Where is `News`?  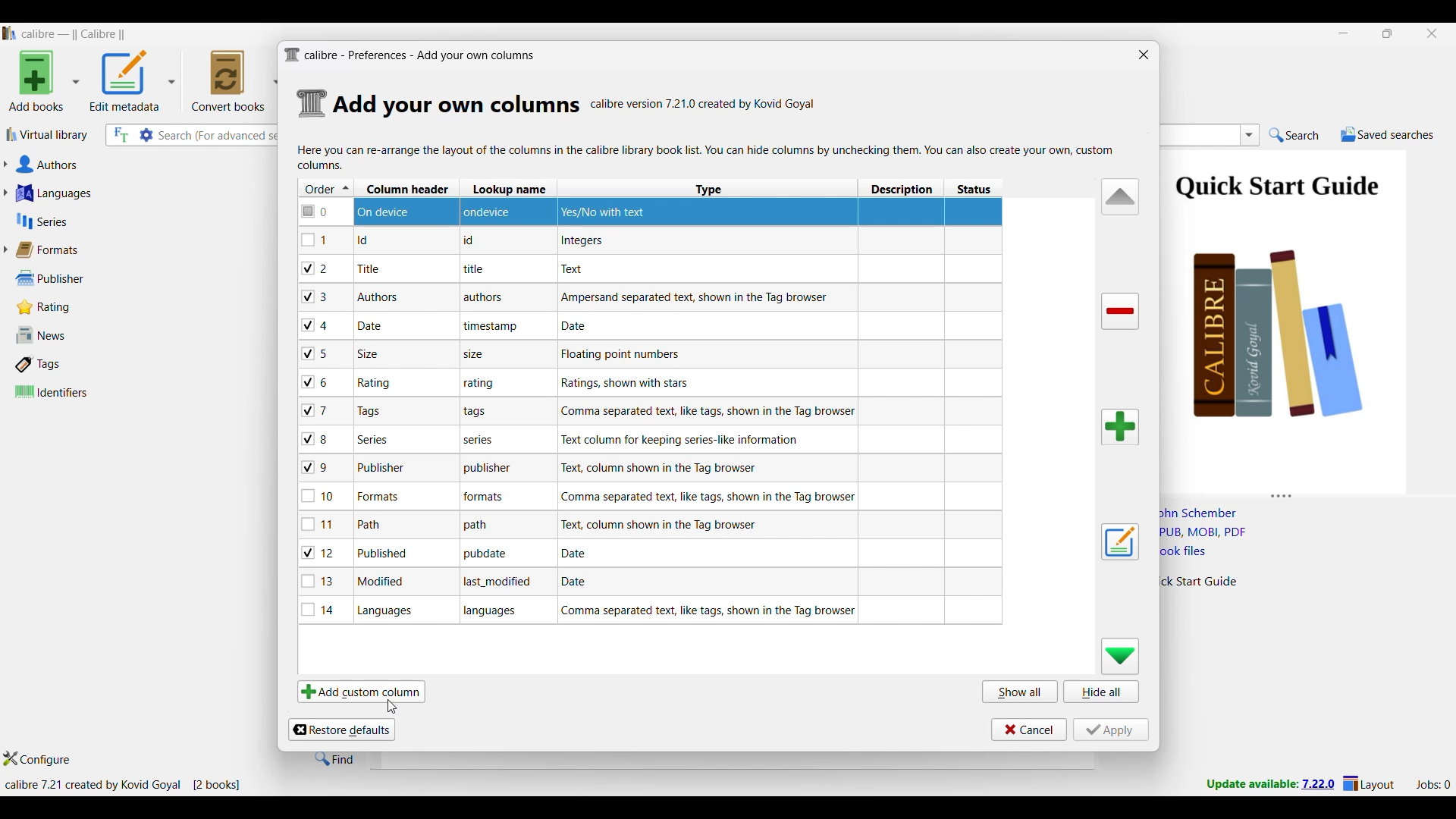 News is located at coordinates (71, 335).